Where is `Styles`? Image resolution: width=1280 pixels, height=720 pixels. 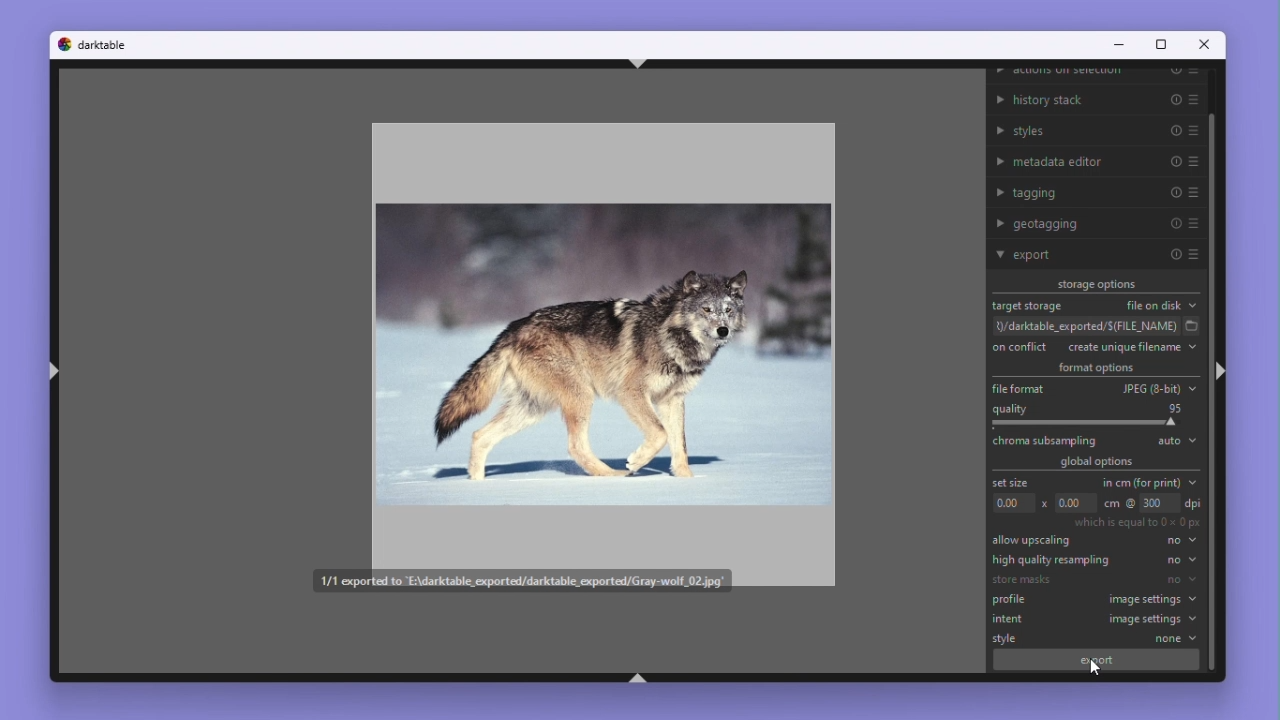
Styles is located at coordinates (1099, 131).